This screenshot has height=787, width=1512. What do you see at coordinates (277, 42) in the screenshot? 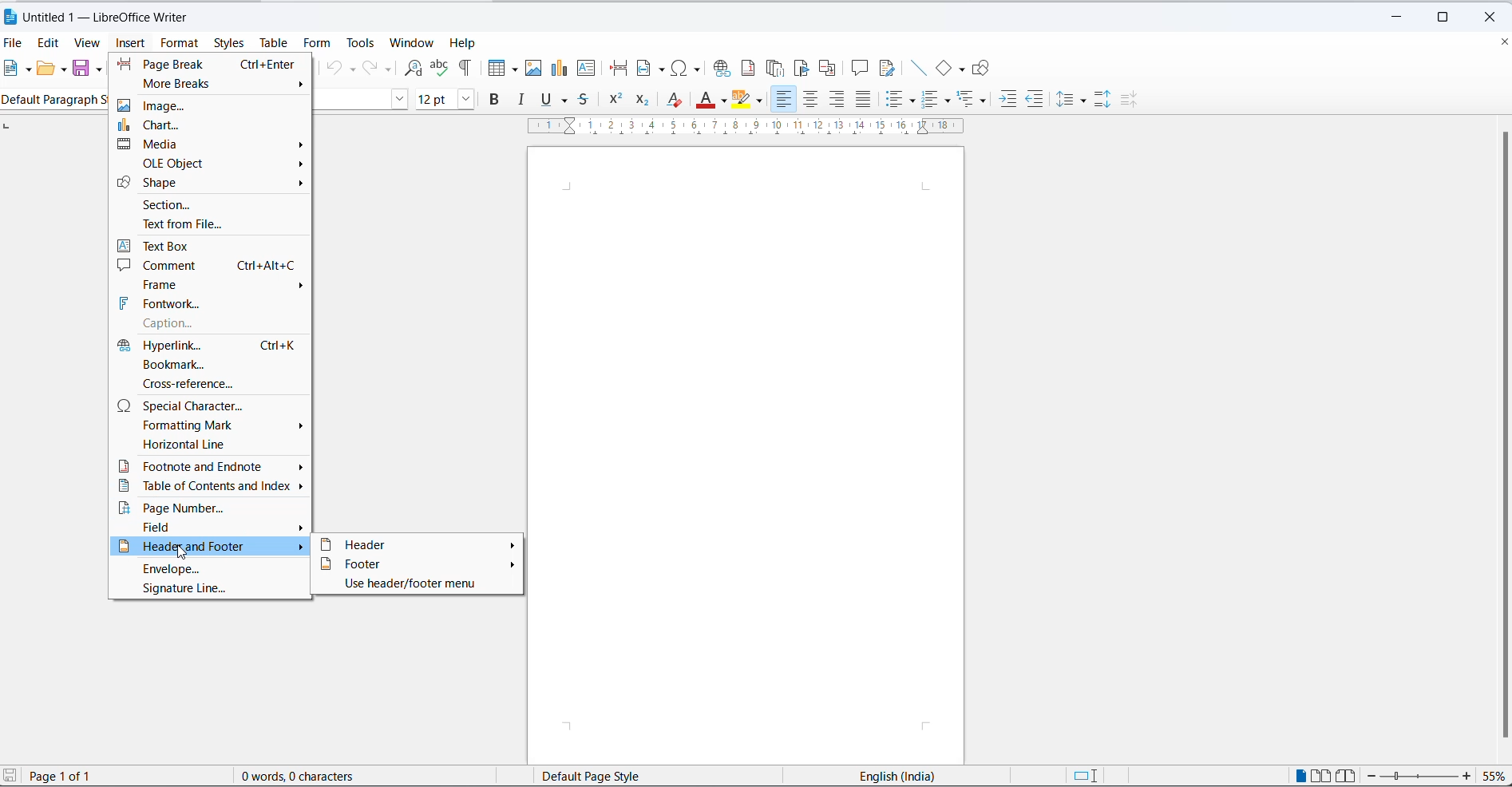
I see `table` at bounding box center [277, 42].